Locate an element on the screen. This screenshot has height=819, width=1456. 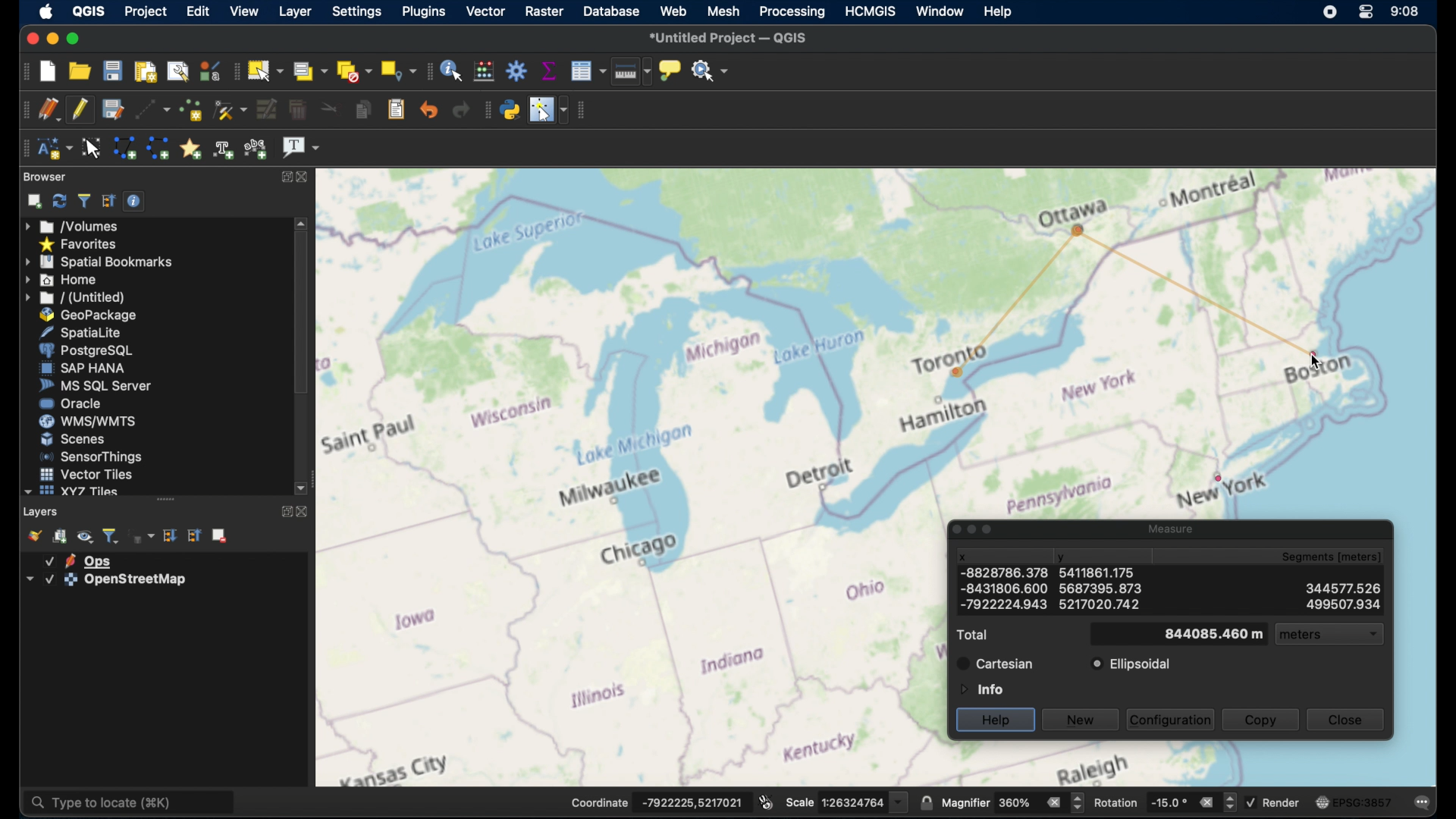
layer is located at coordinates (102, 580).